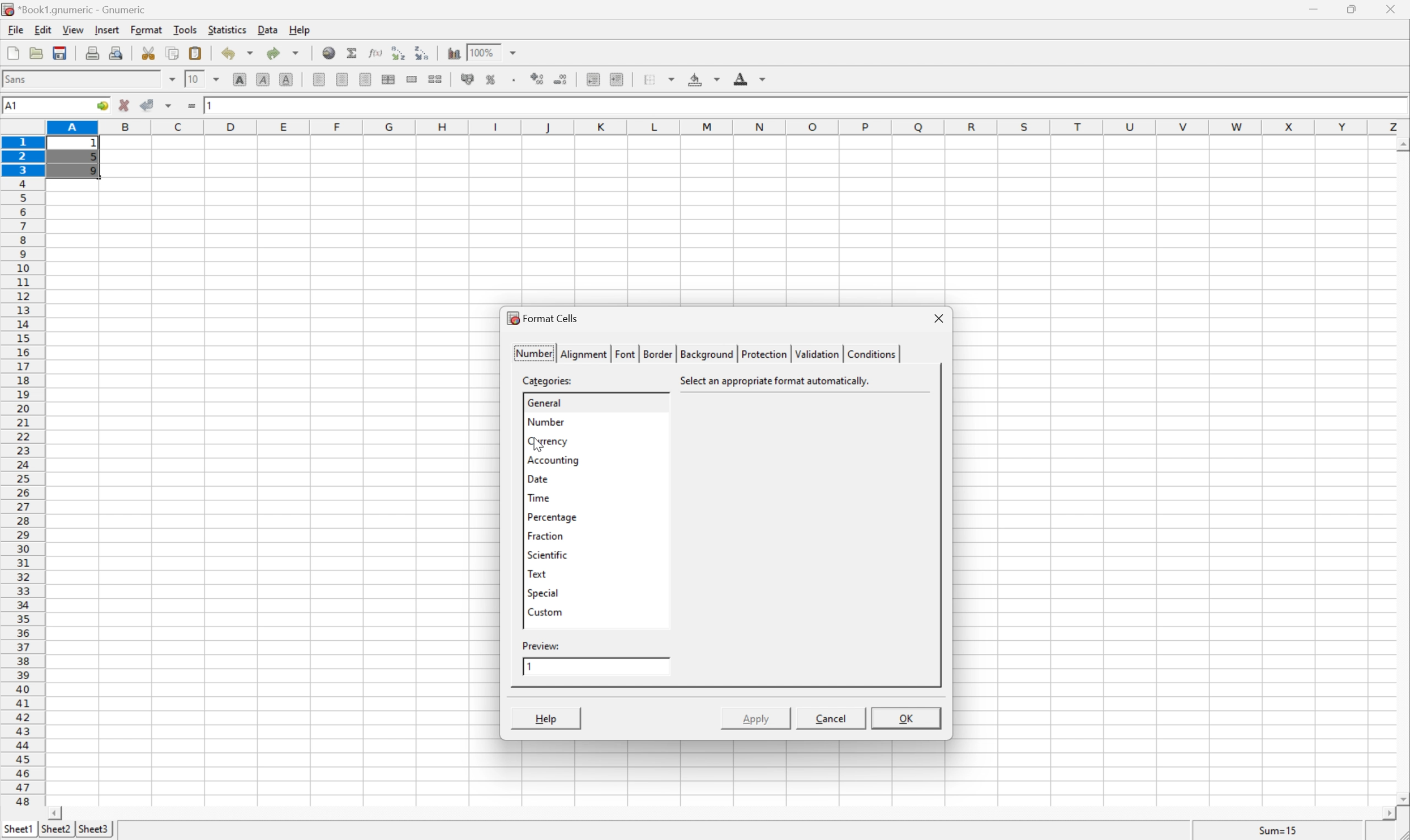  Describe the element at coordinates (544, 421) in the screenshot. I see `number` at that location.